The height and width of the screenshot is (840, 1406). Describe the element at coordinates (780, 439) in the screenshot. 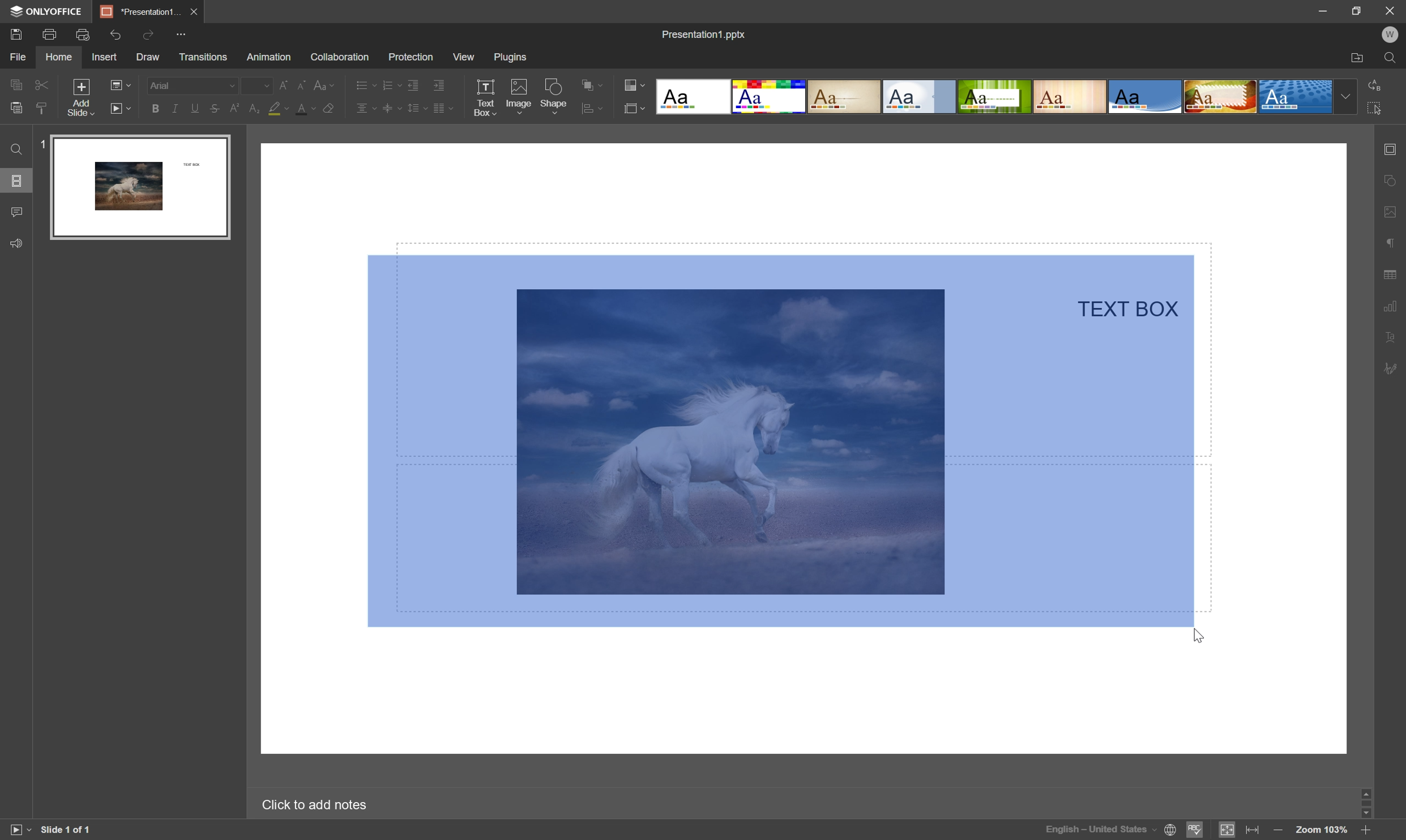

I see `selection highlight` at that location.